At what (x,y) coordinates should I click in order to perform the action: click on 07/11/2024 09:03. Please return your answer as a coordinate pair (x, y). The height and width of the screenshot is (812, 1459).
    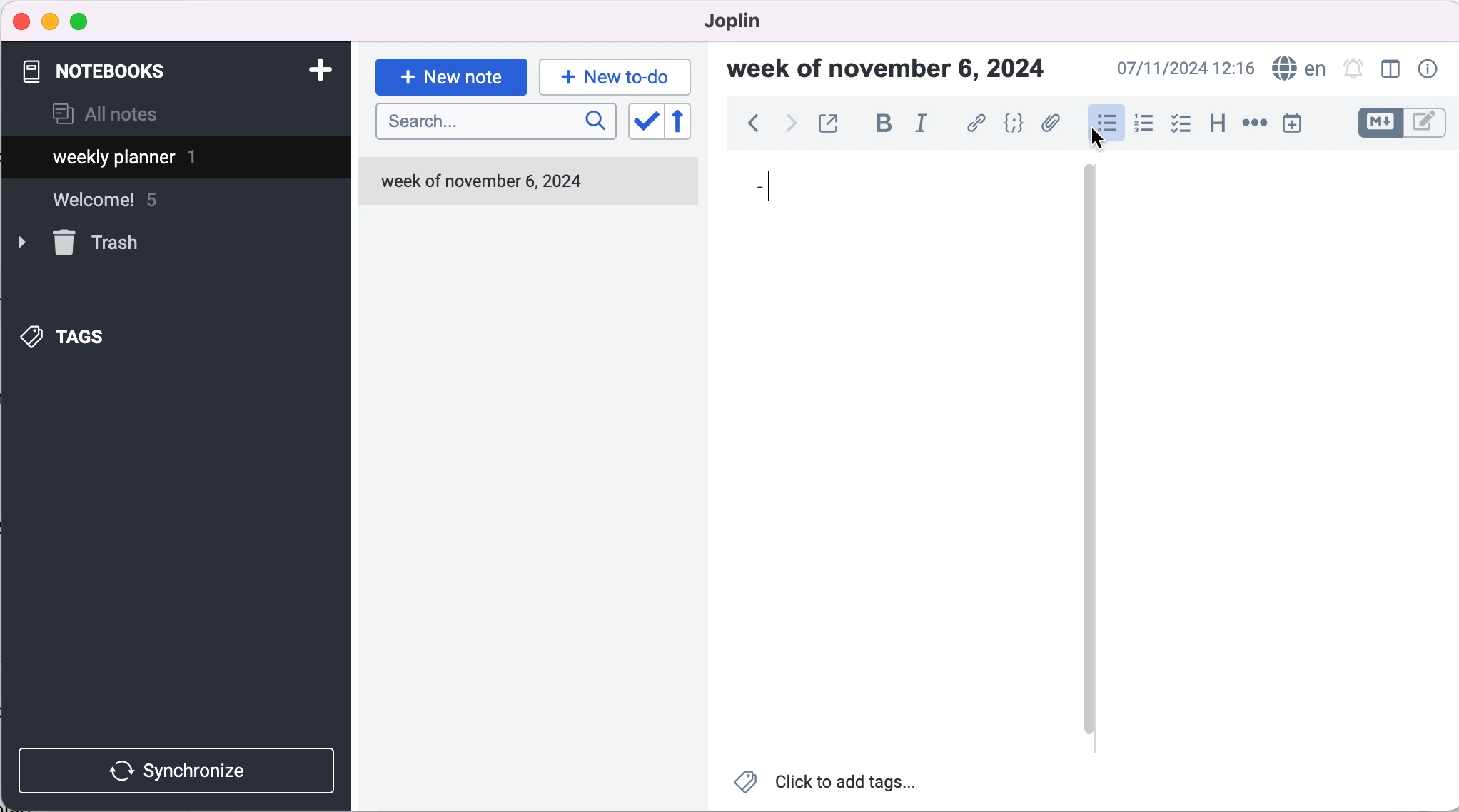
    Looking at the image, I should click on (1183, 68).